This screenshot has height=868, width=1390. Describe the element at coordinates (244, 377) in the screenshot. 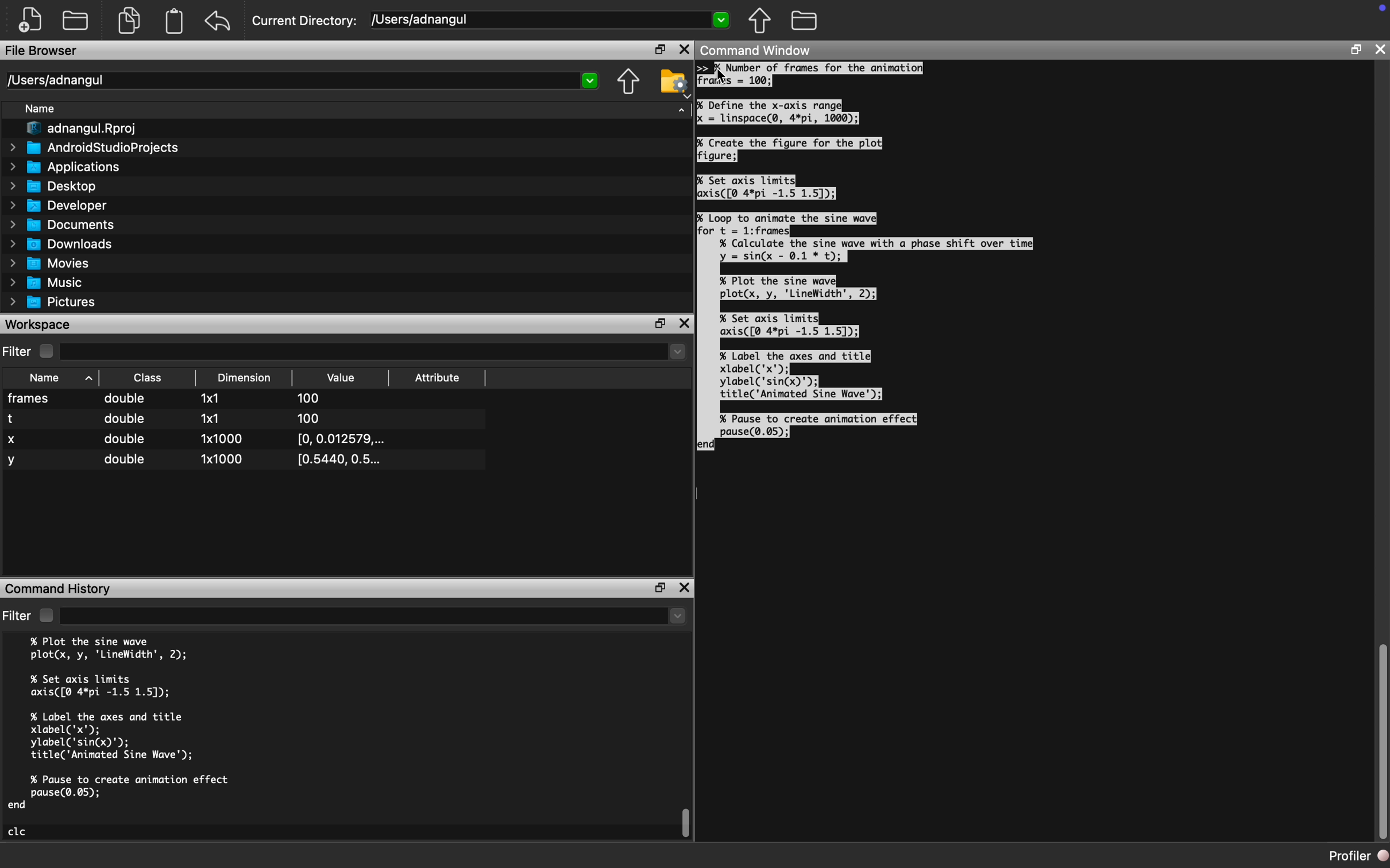

I see `Dimension` at that location.